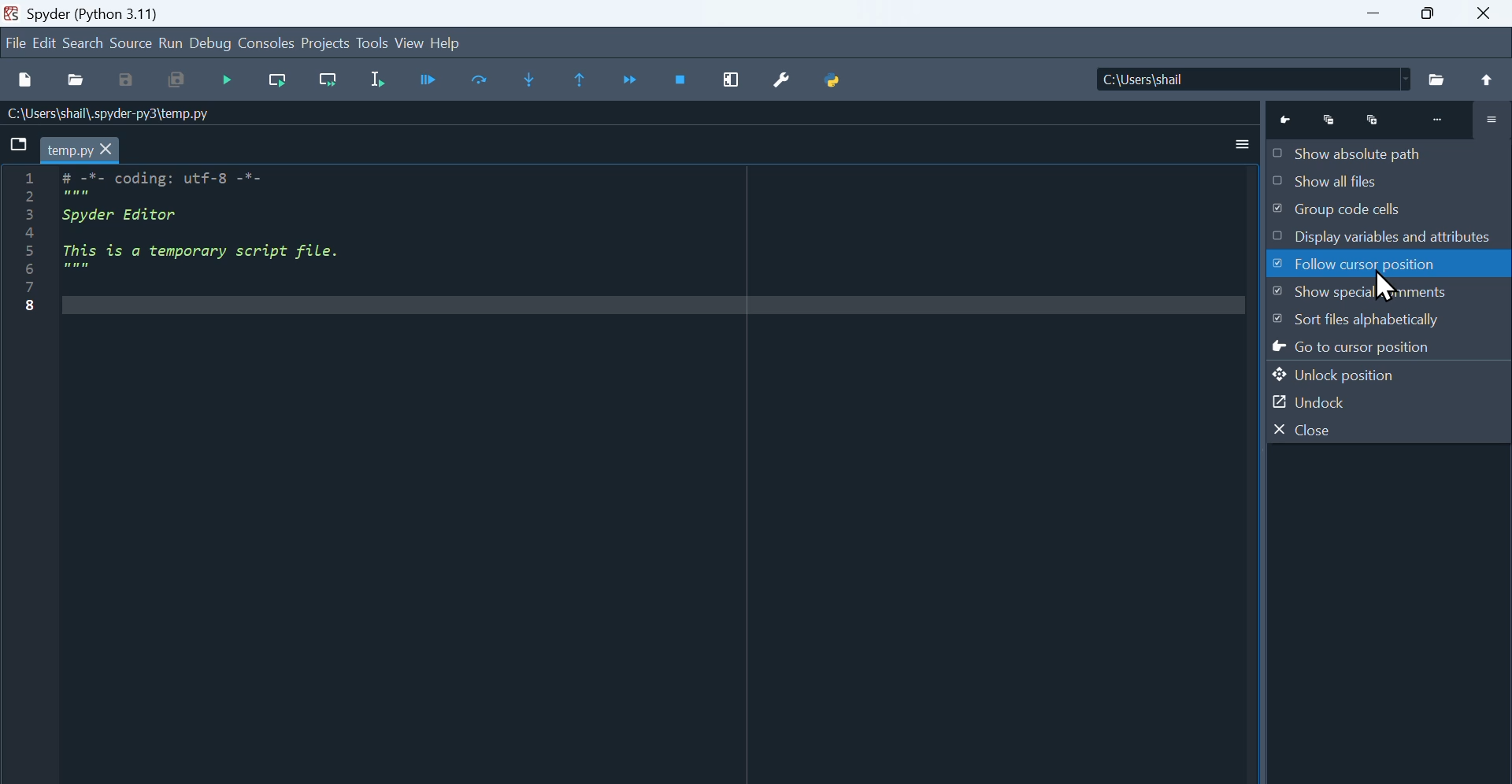  Describe the element at coordinates (372, 43) in the screenshot. I see `Tools` at that location.